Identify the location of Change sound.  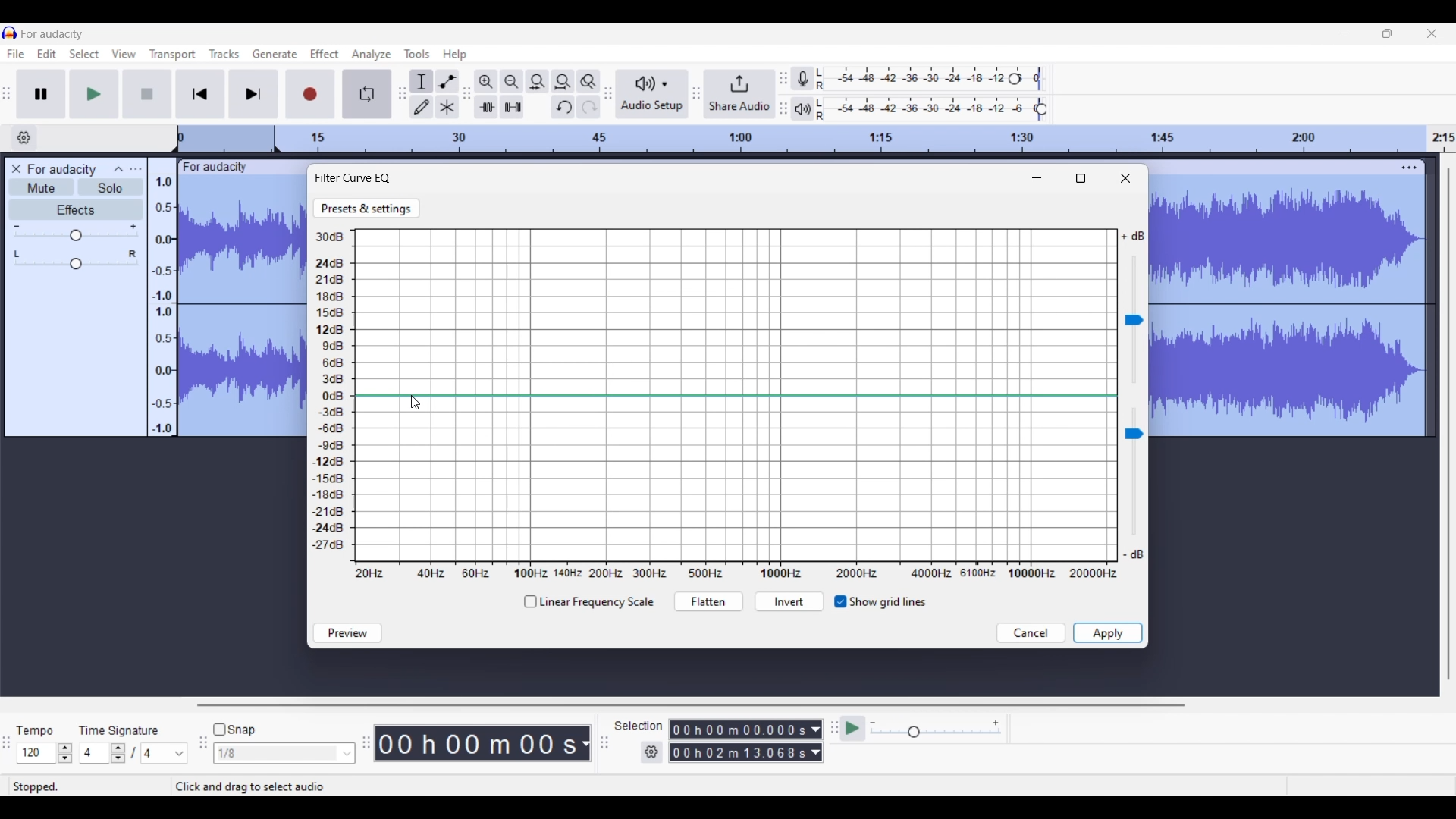
(1134, 320).